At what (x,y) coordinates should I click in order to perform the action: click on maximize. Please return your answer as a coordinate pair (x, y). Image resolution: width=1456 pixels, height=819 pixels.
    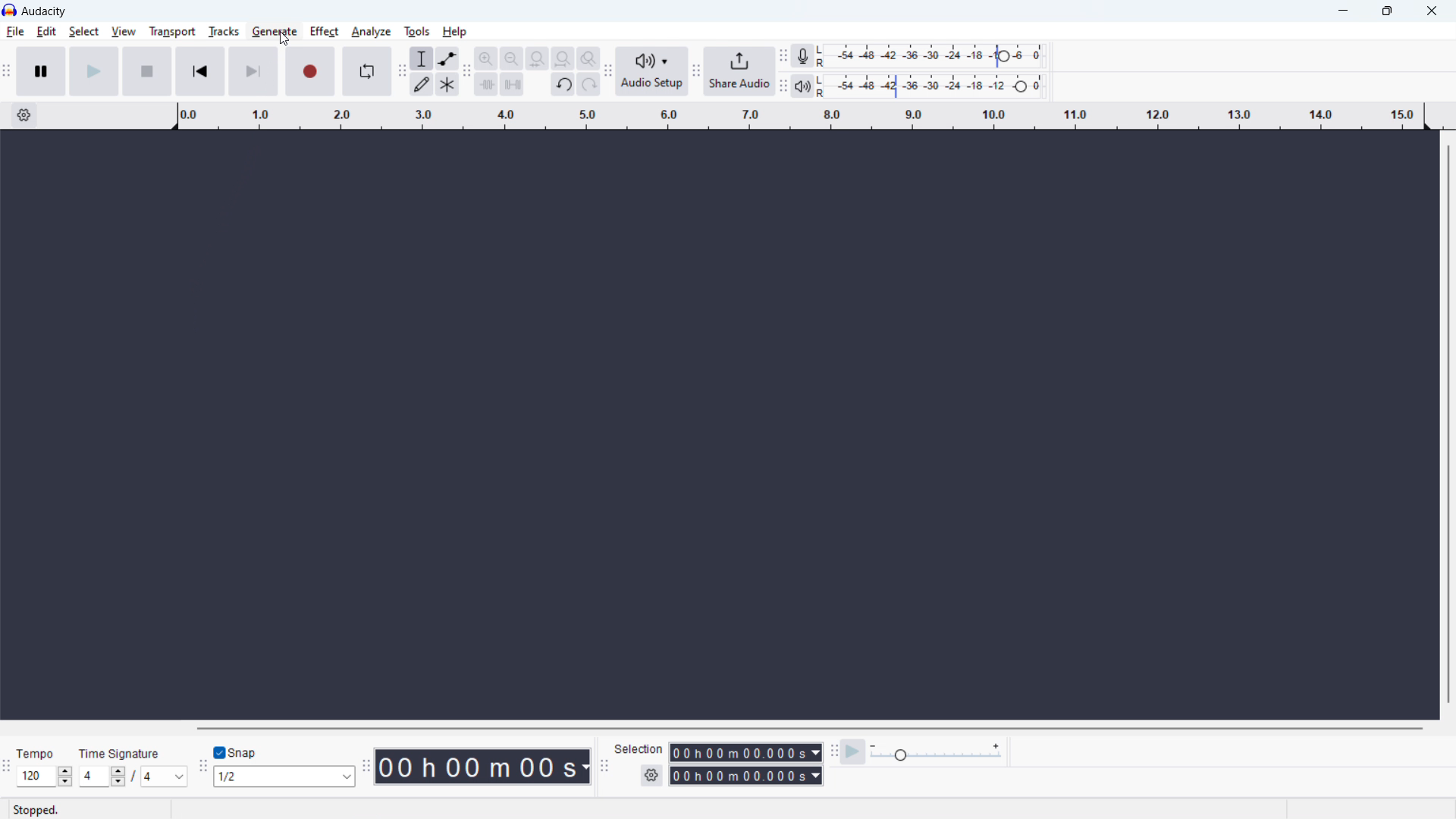
    Looking at the image, I should click on (1386, 10).